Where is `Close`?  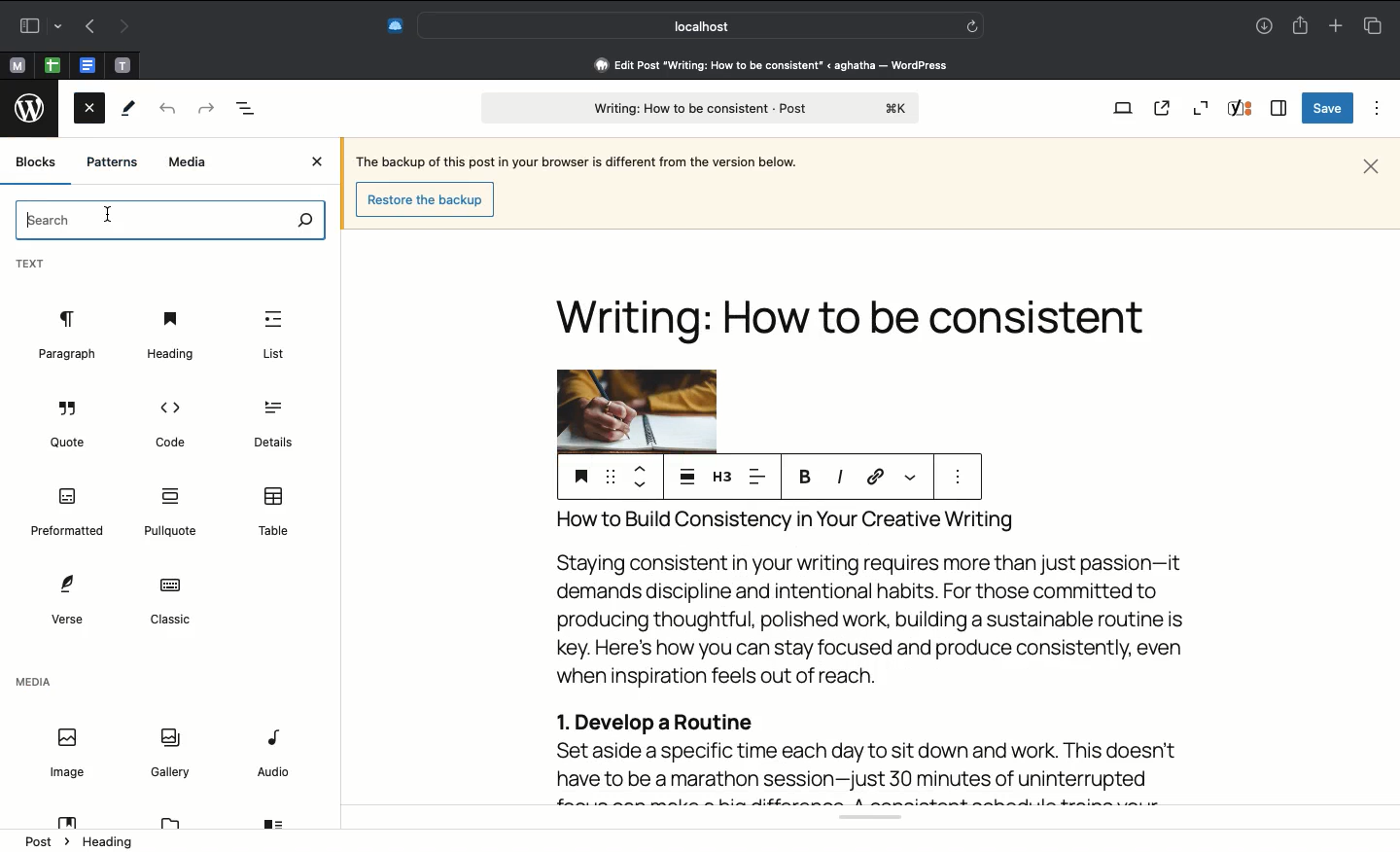
Close is located at coordinates (320, 162).